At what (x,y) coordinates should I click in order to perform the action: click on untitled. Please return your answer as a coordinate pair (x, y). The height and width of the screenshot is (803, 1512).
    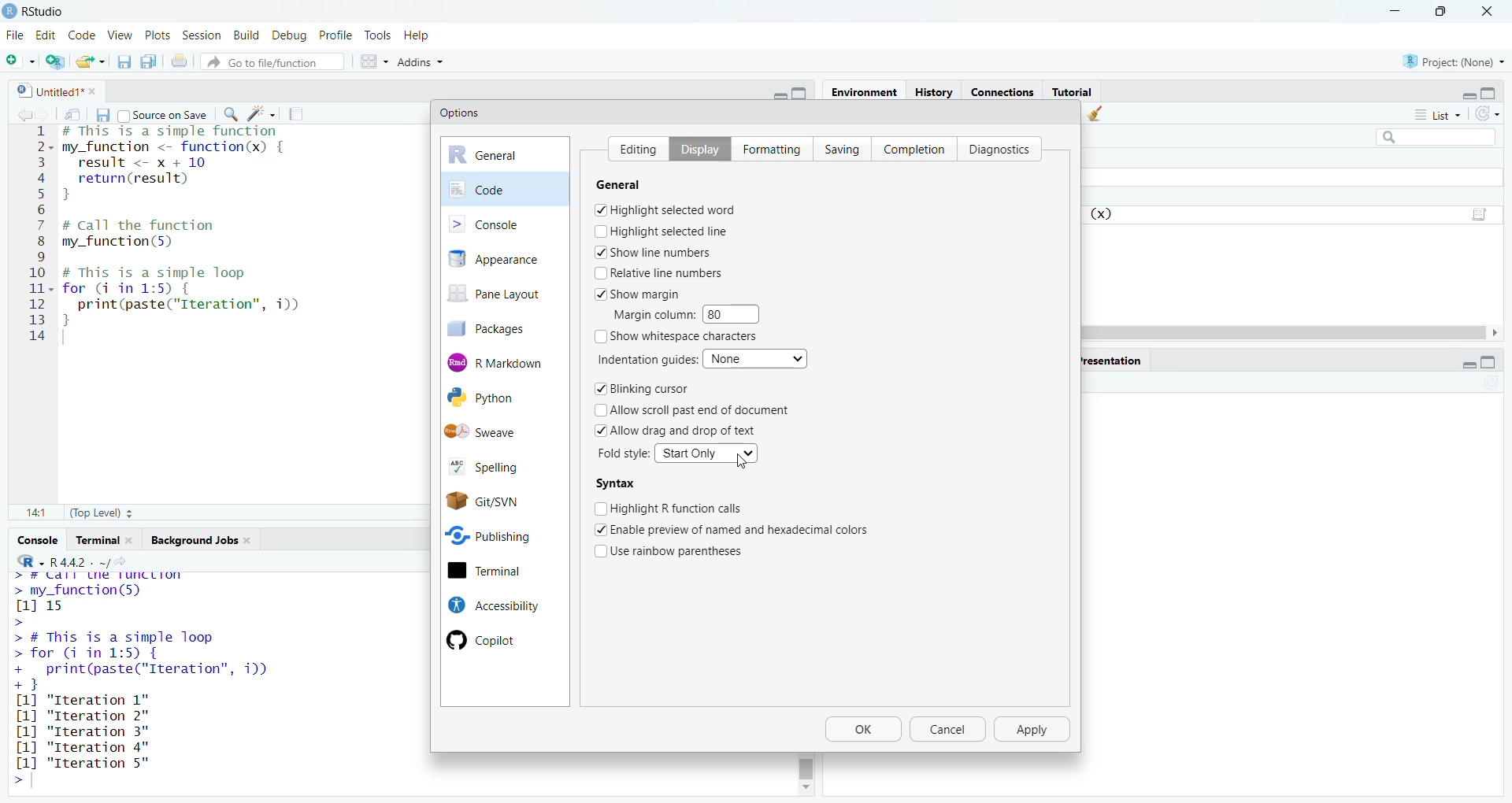
    Looking at the image, I should click on (42, 90).